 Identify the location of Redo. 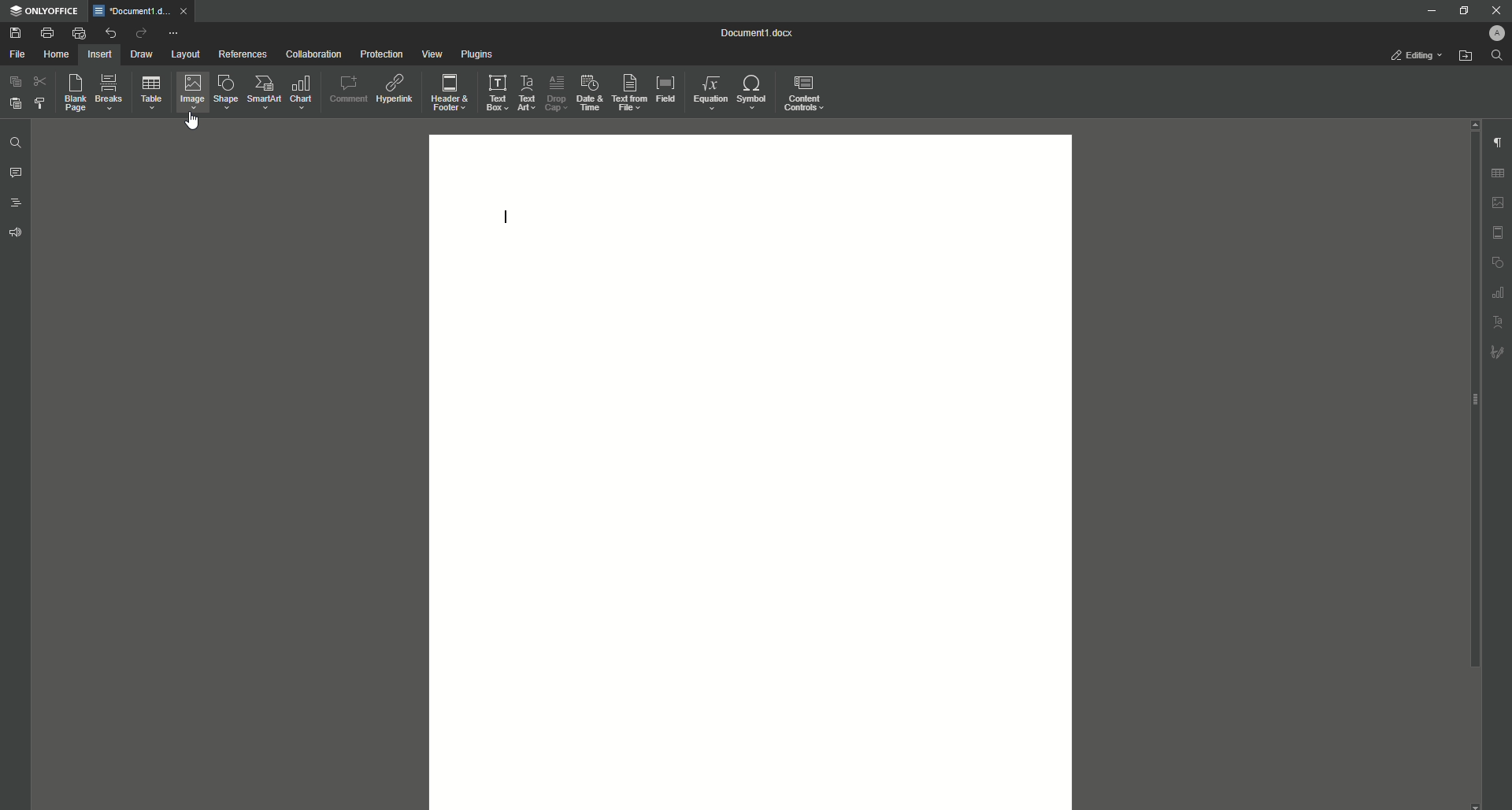
(140, 32).